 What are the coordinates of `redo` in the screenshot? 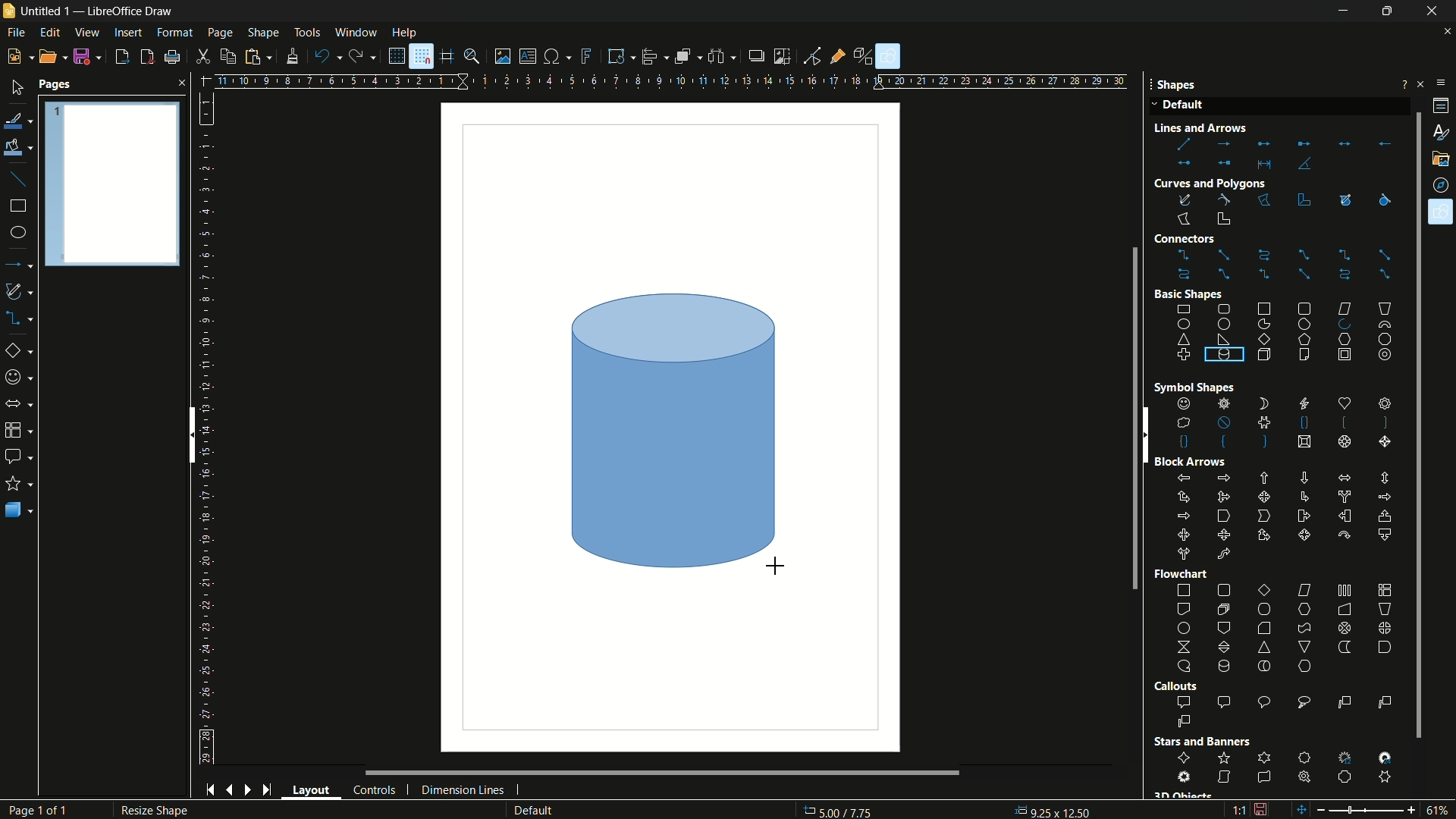 It's located at (362, 55).